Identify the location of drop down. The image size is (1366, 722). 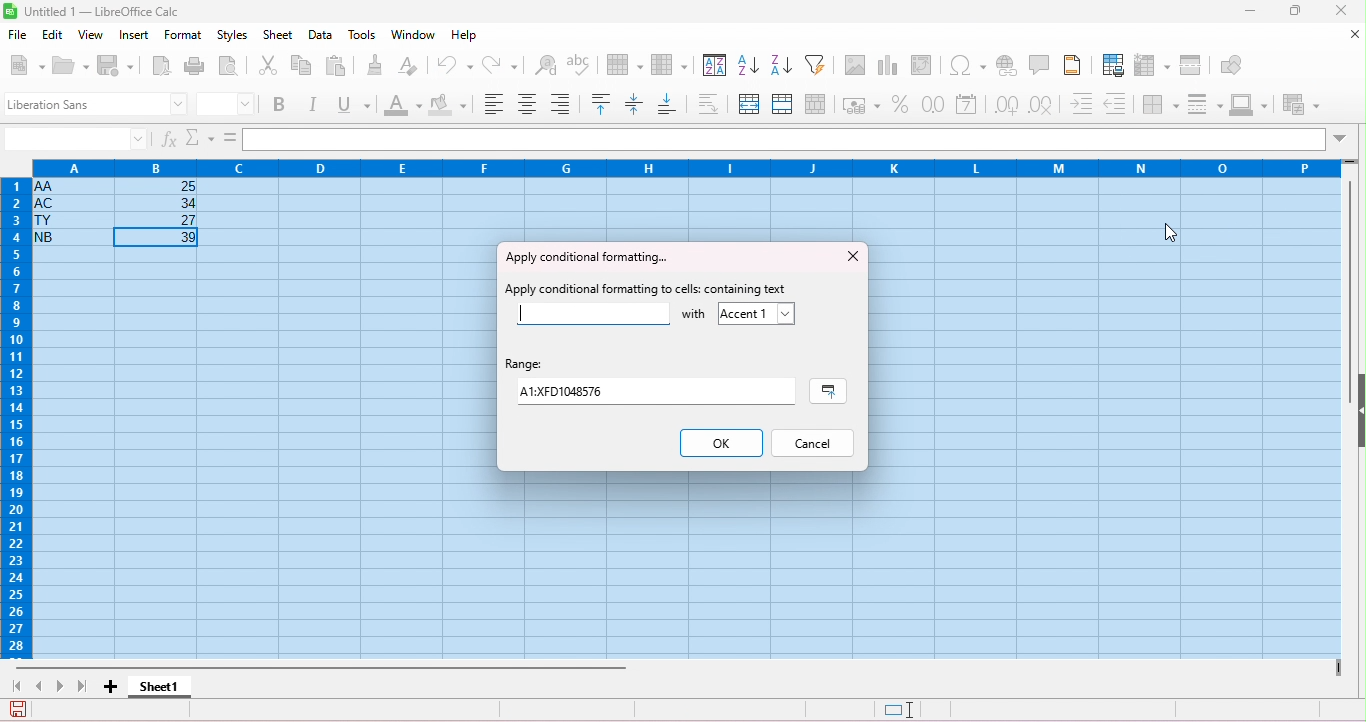
(1342, 137).